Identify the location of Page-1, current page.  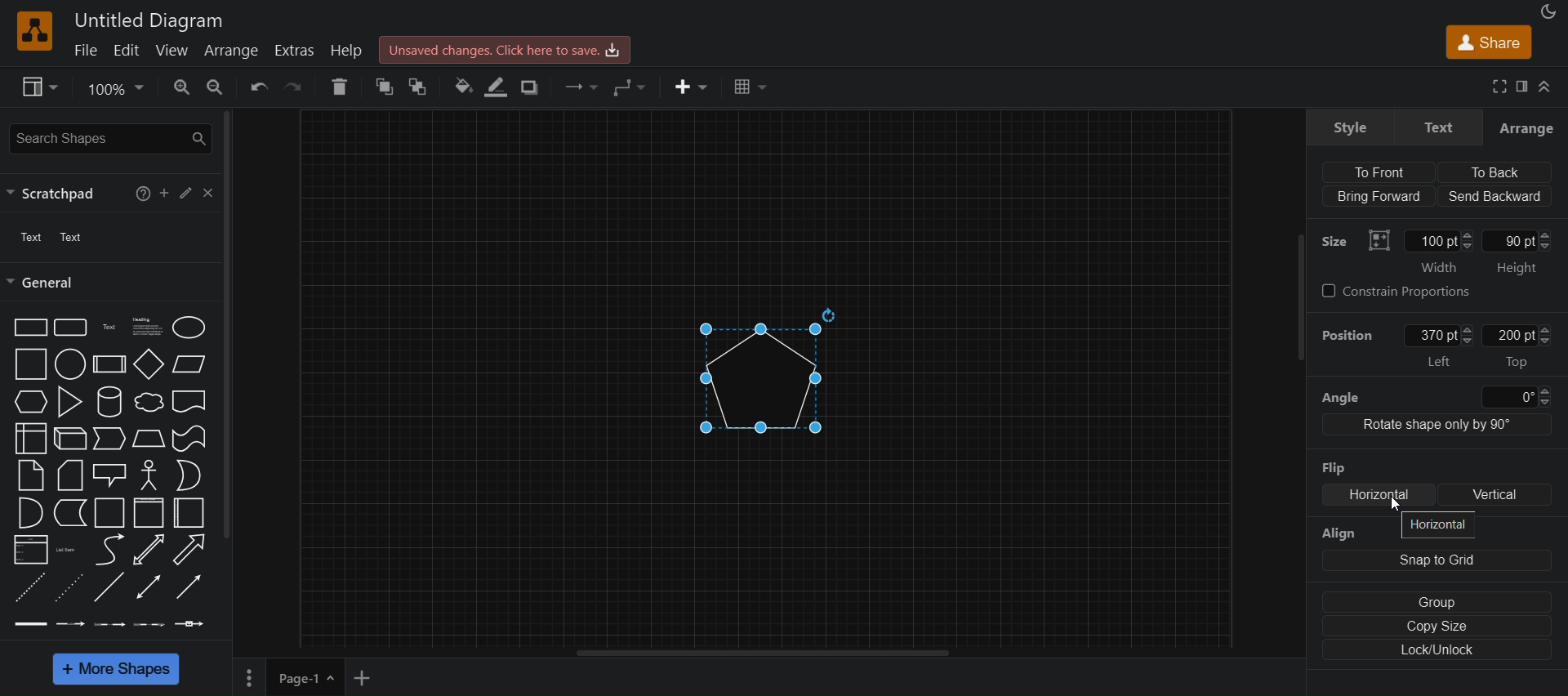
(292, 677).